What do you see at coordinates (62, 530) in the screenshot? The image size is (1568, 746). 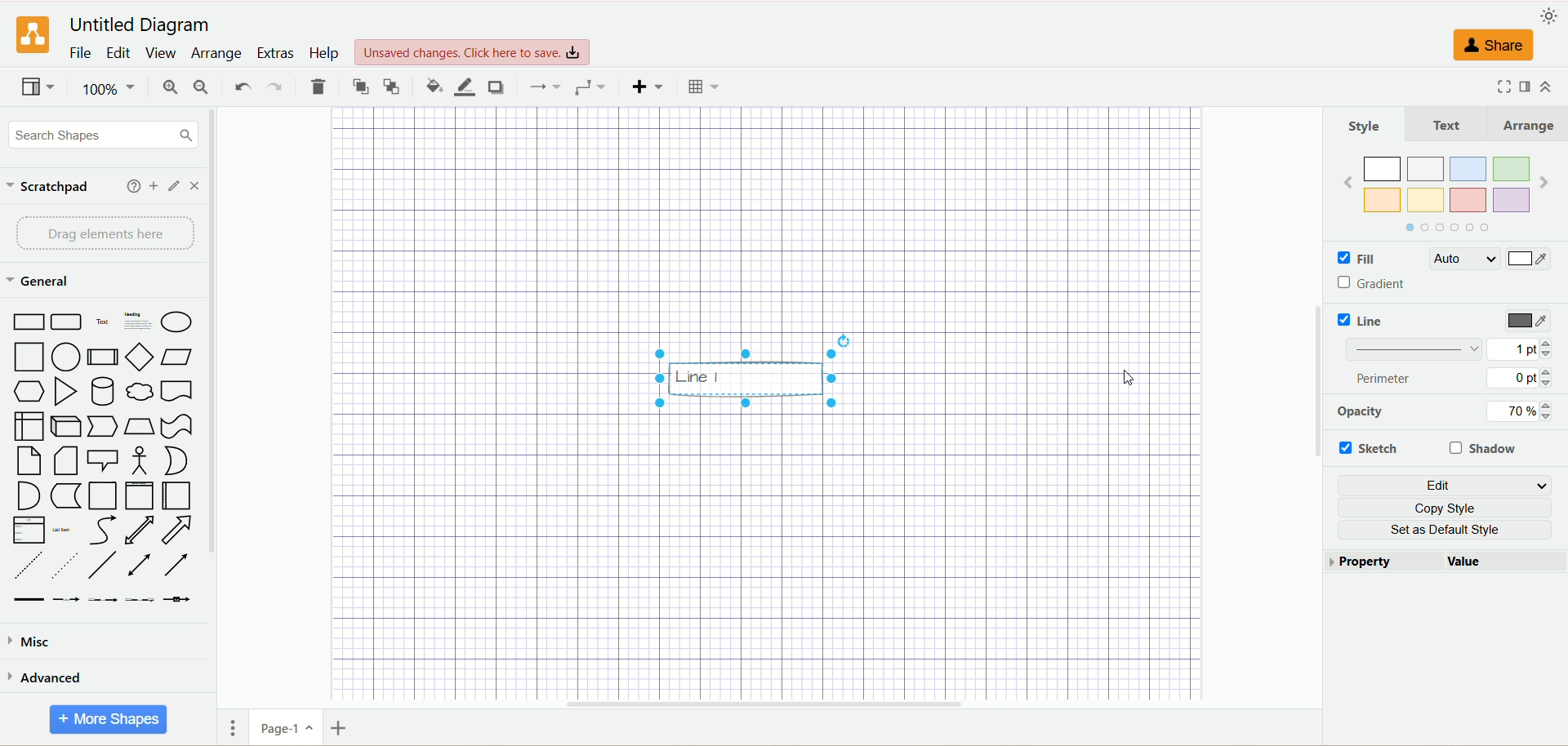 I see `List item` at bounding box center [62, 530].